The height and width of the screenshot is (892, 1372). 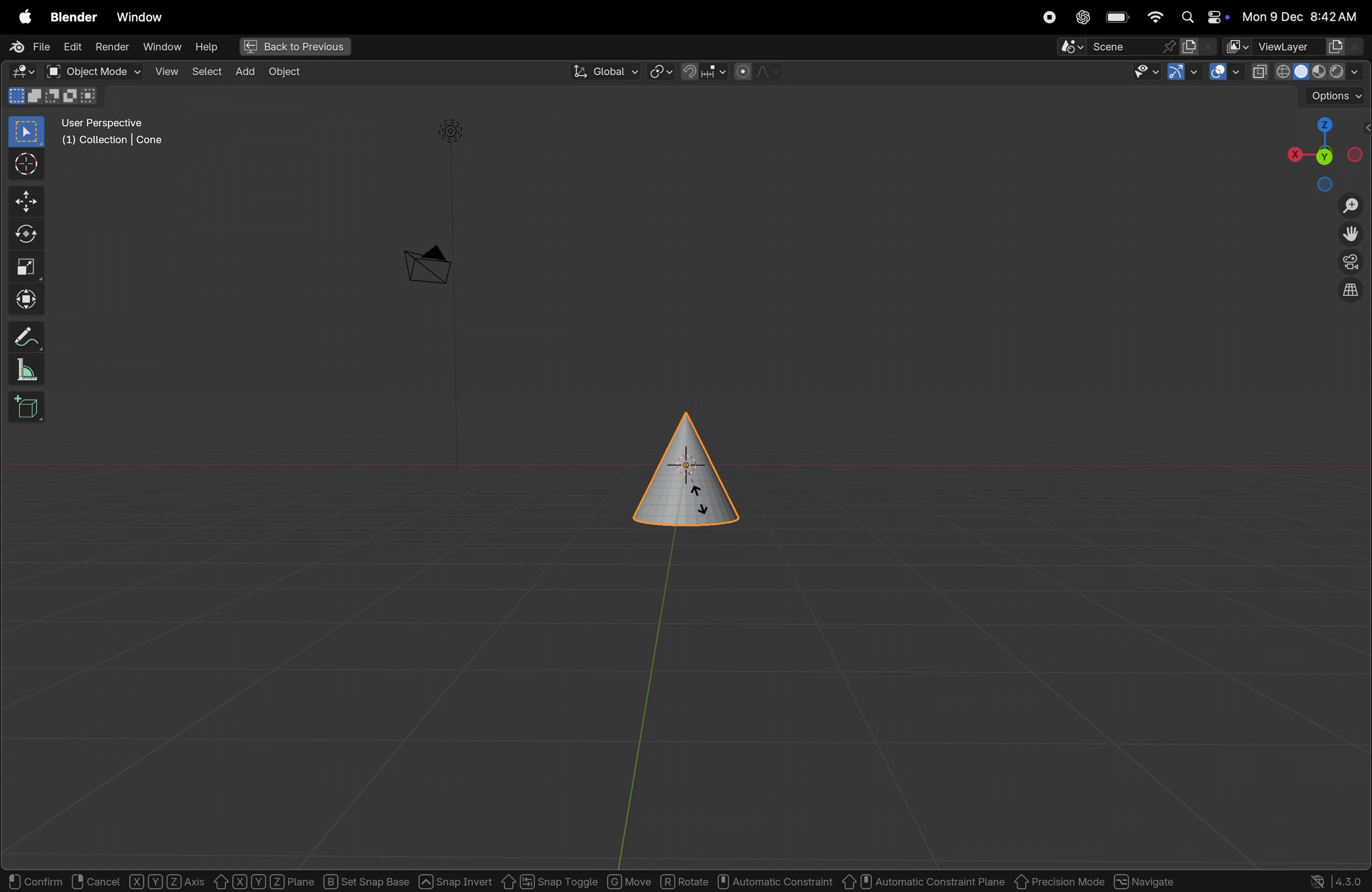 What do you see at coordinates (631, 881) in the screenshot?
I see `move` at bounding box center [631, 881].